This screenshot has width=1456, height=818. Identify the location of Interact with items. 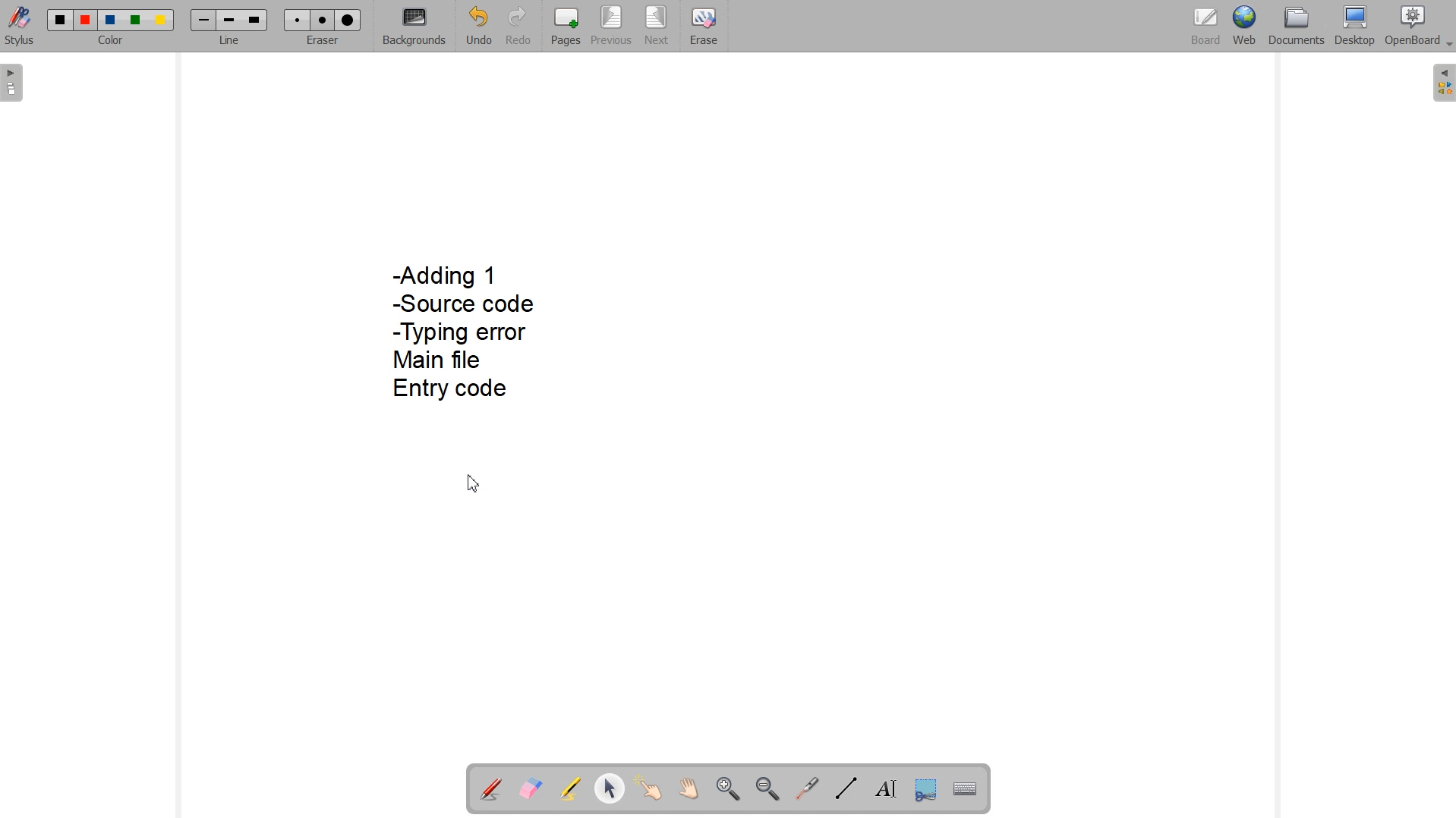
(650, 790).